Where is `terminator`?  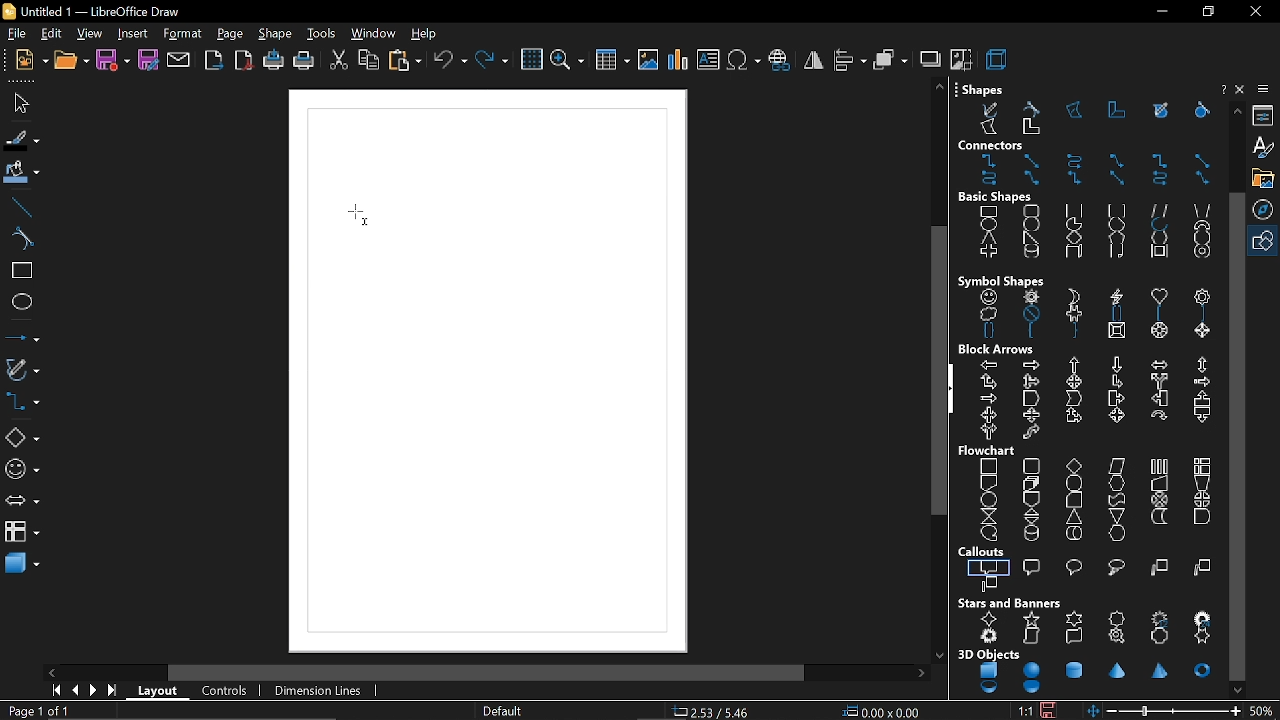 terminator is located at coordinates (1072, 483).